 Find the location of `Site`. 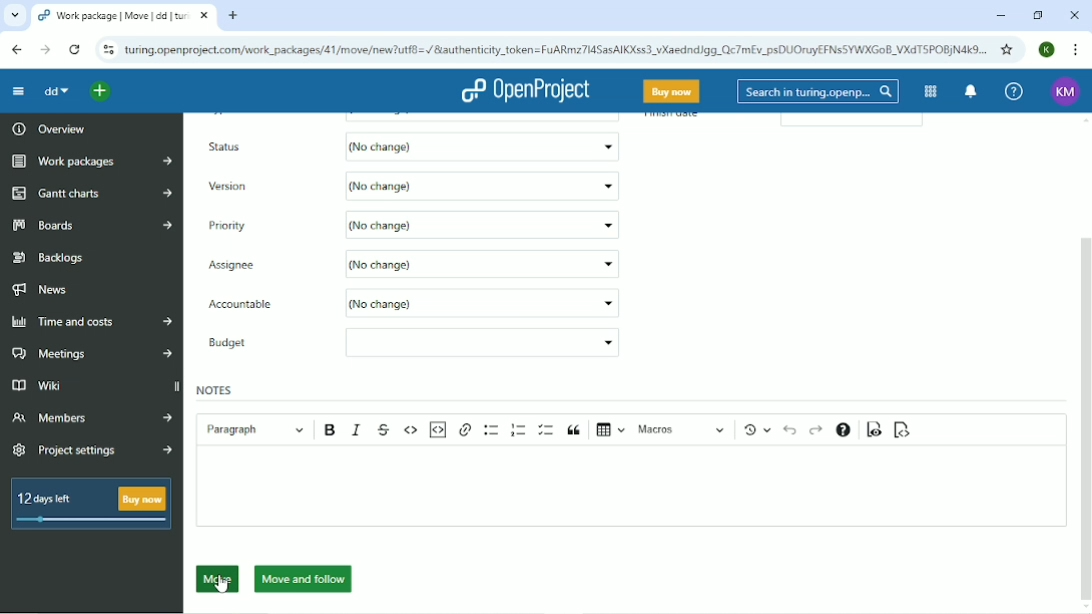

Site is located at coordinates (556, 50).